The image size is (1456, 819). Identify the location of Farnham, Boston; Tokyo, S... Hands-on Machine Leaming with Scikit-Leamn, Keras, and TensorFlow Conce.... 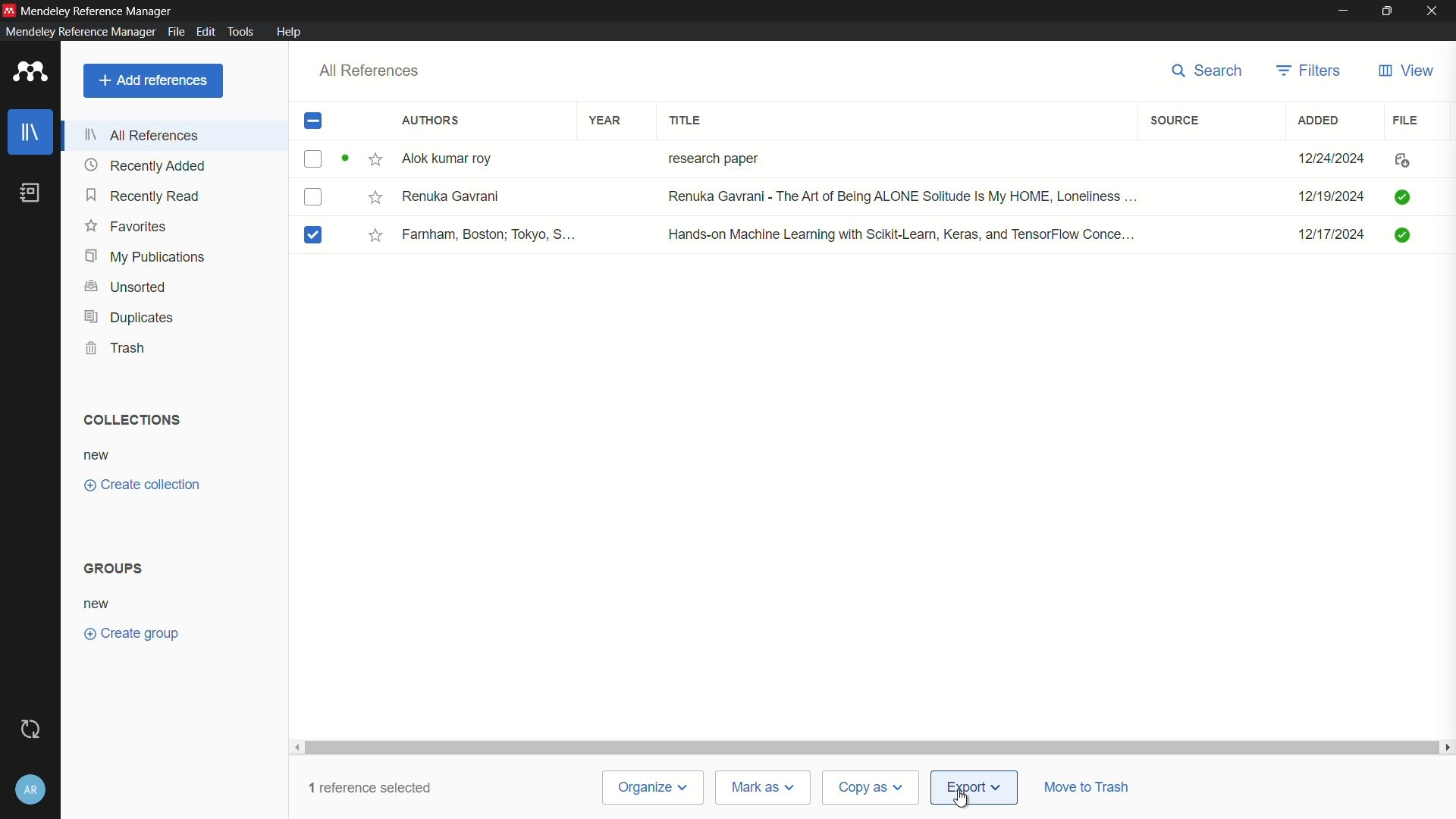
(785, 235).